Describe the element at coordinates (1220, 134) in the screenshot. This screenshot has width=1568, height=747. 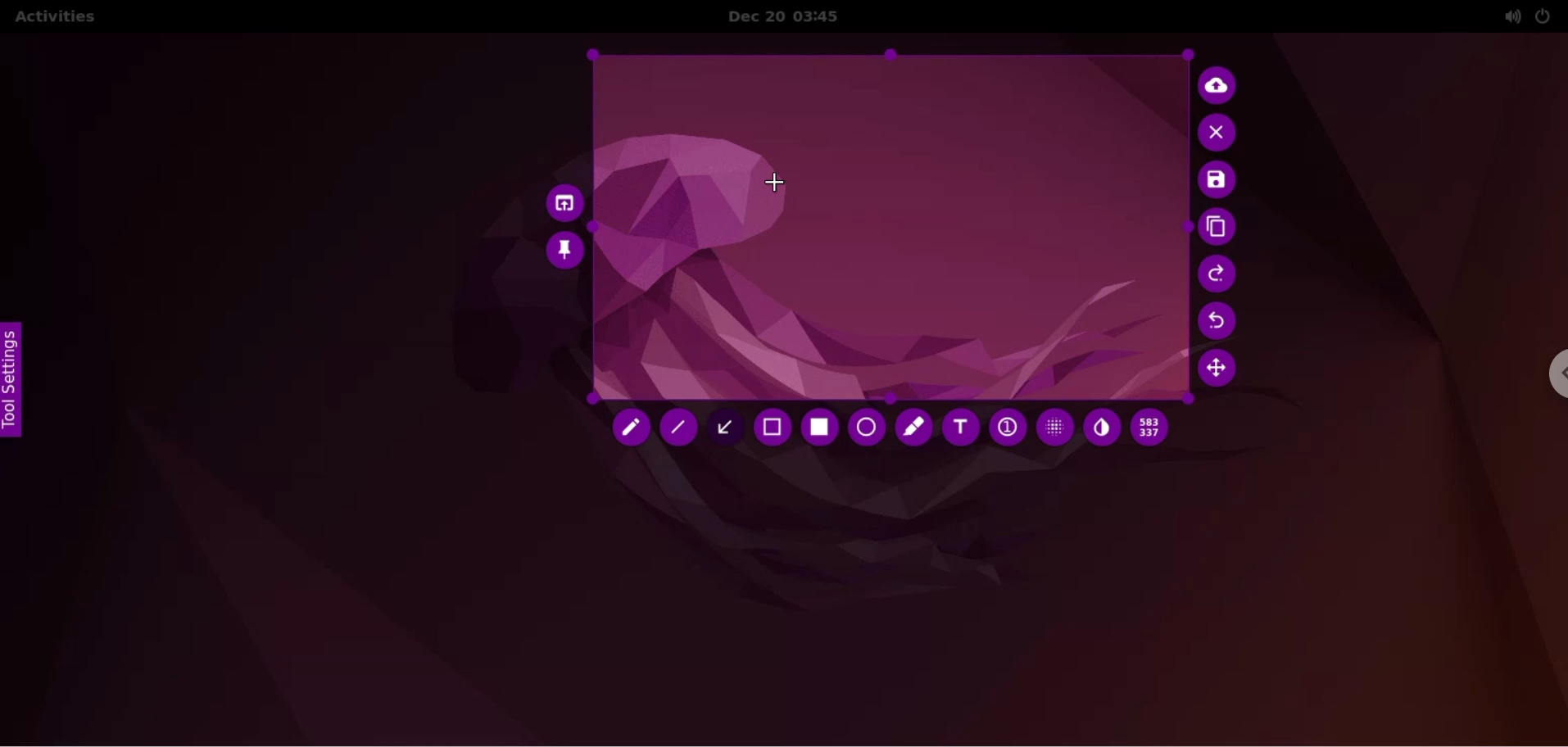
I see `cancel capture` at that location.